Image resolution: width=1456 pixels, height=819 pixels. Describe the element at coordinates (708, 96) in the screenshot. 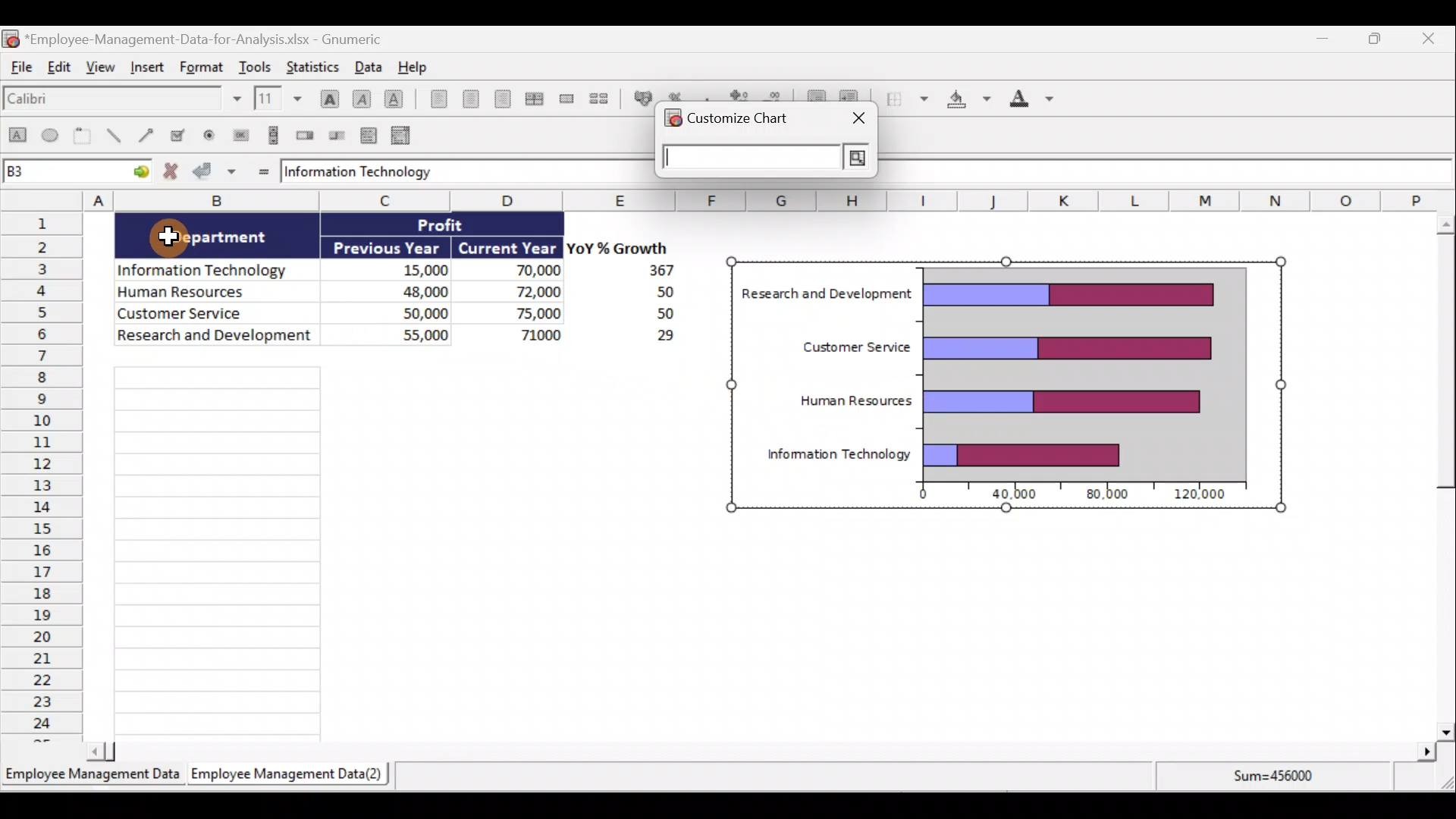

I see `Include a thousands separator` at that location.